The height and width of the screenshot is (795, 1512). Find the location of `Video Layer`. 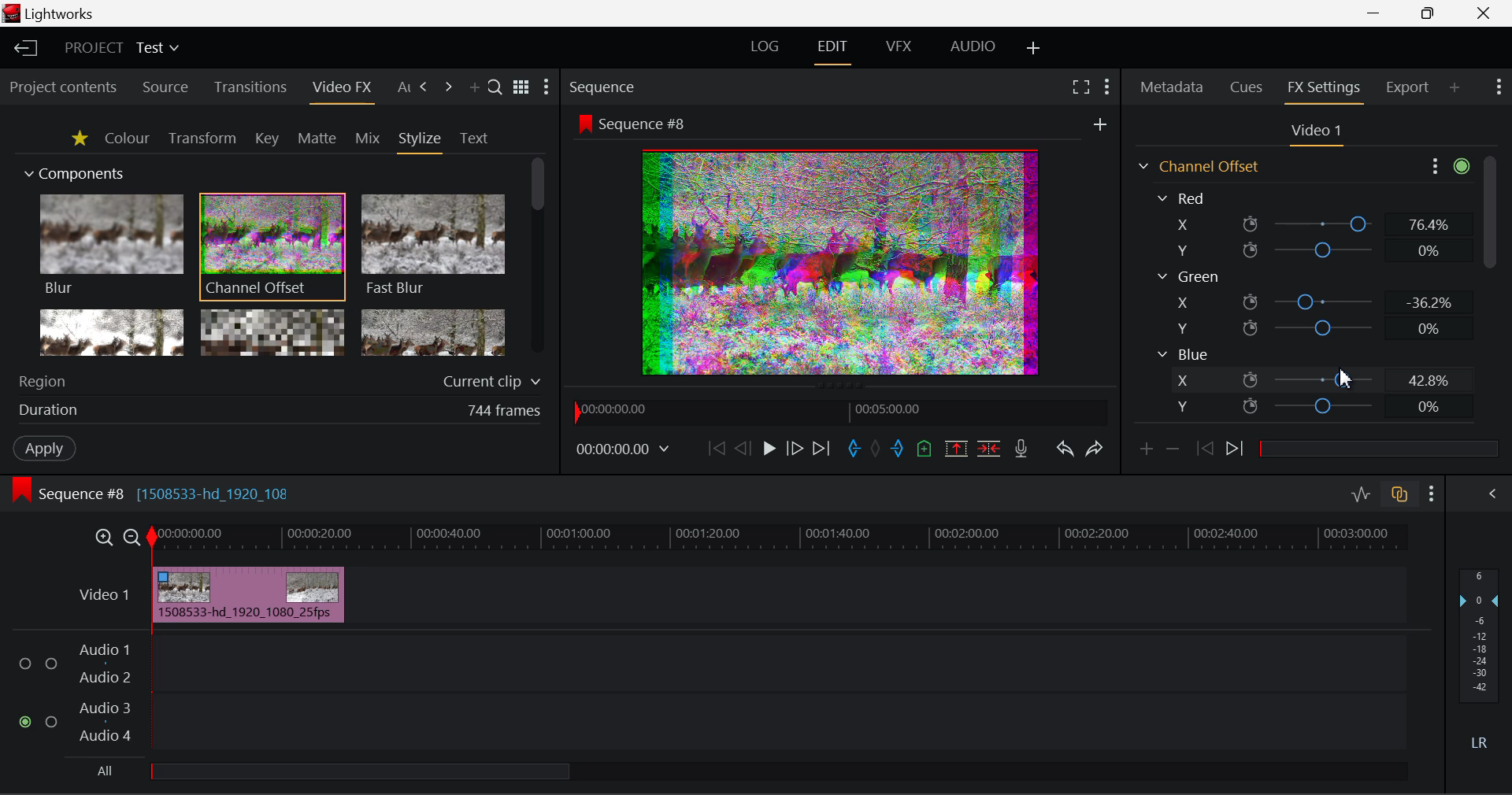

Video Layer is located at coordinates (106, 598).